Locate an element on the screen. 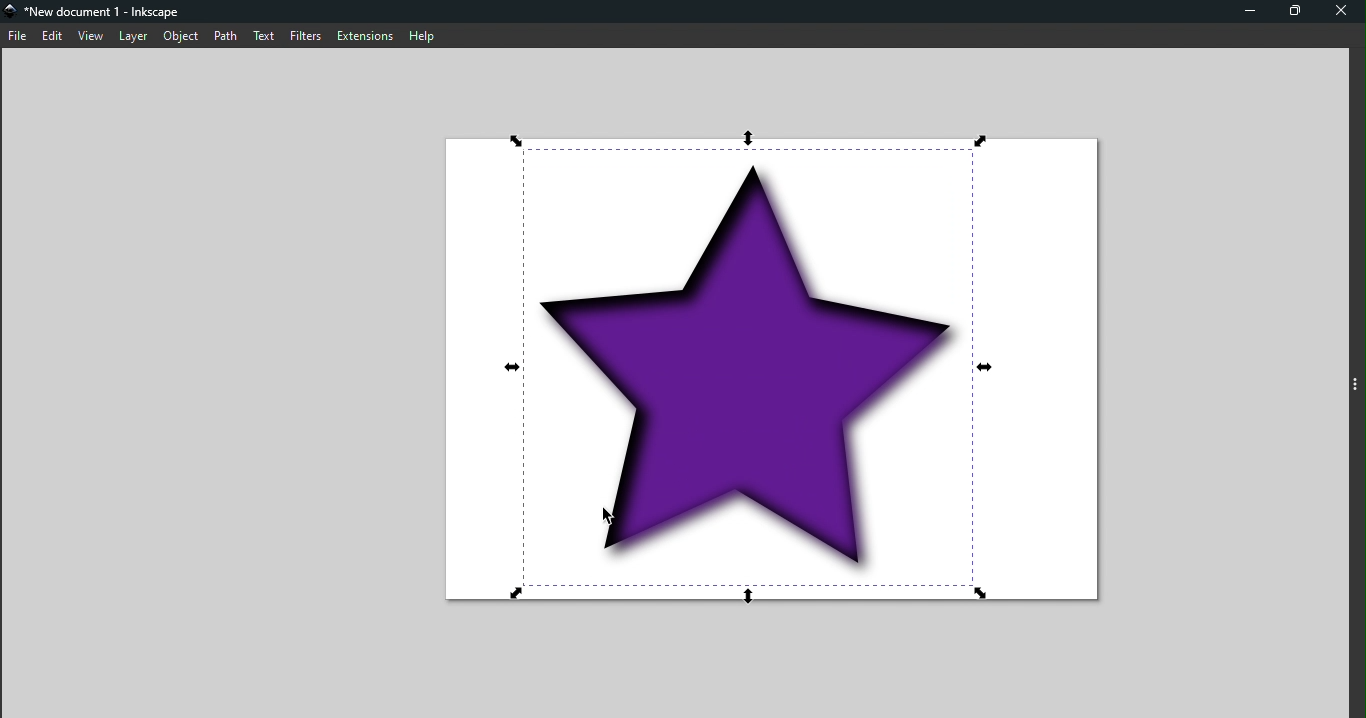 The width and height of the screenshot is (1366, 718). Extensions is located at coordinates (361, 34).